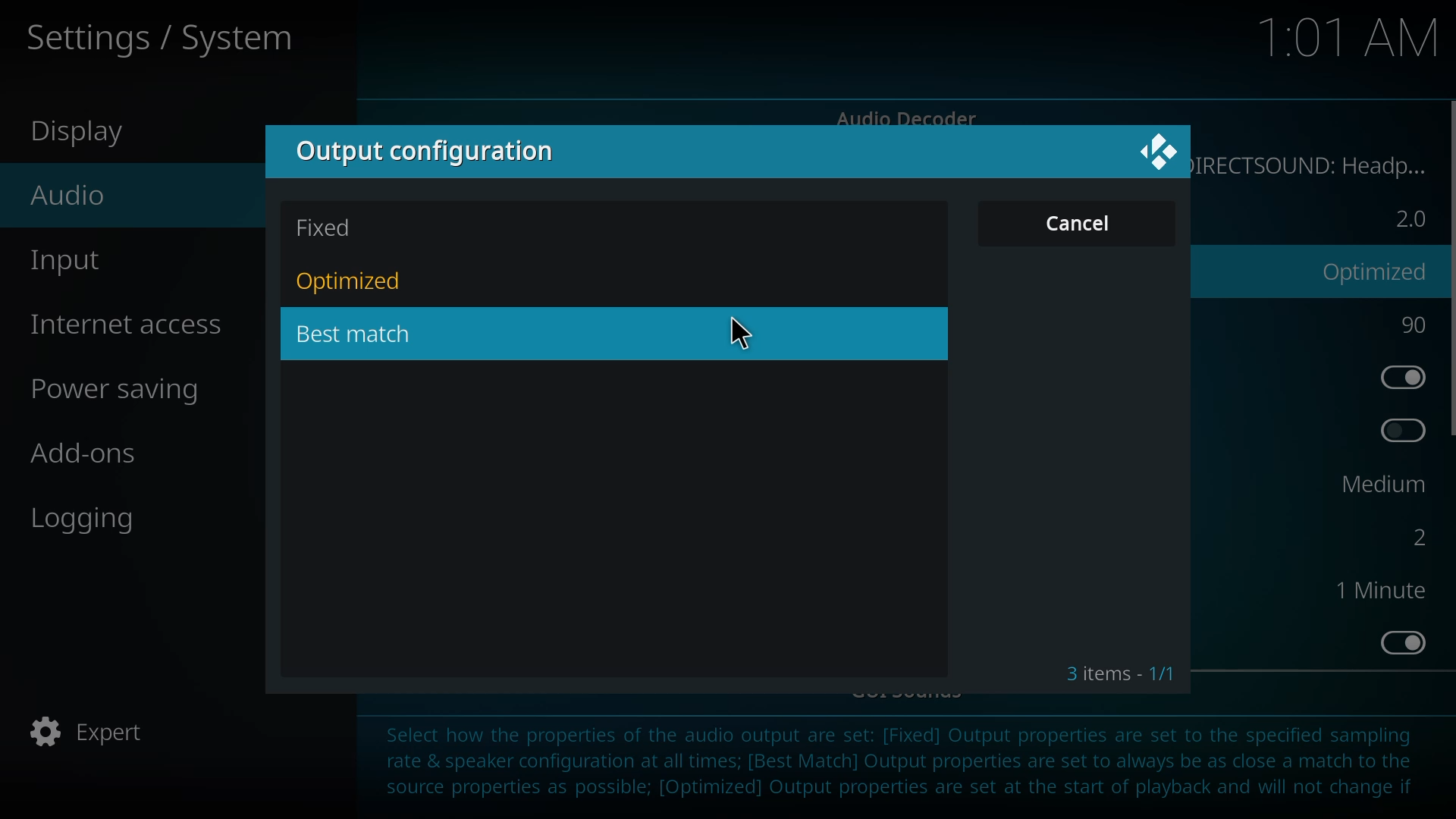 The height and width of the screenshot is (819, 1456). I want to click on 2, so click(1411, 535).